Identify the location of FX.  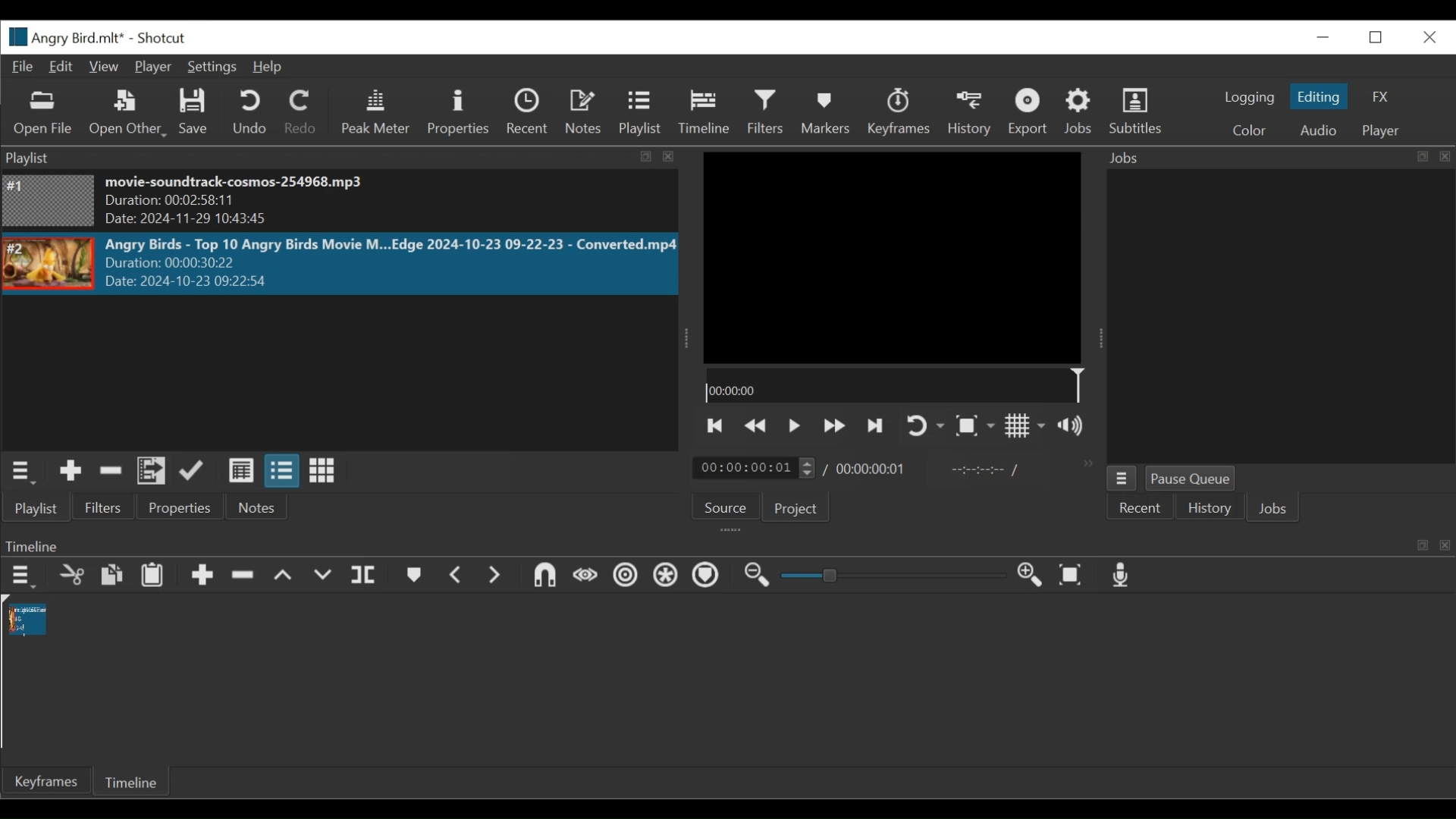
(1382, 99).